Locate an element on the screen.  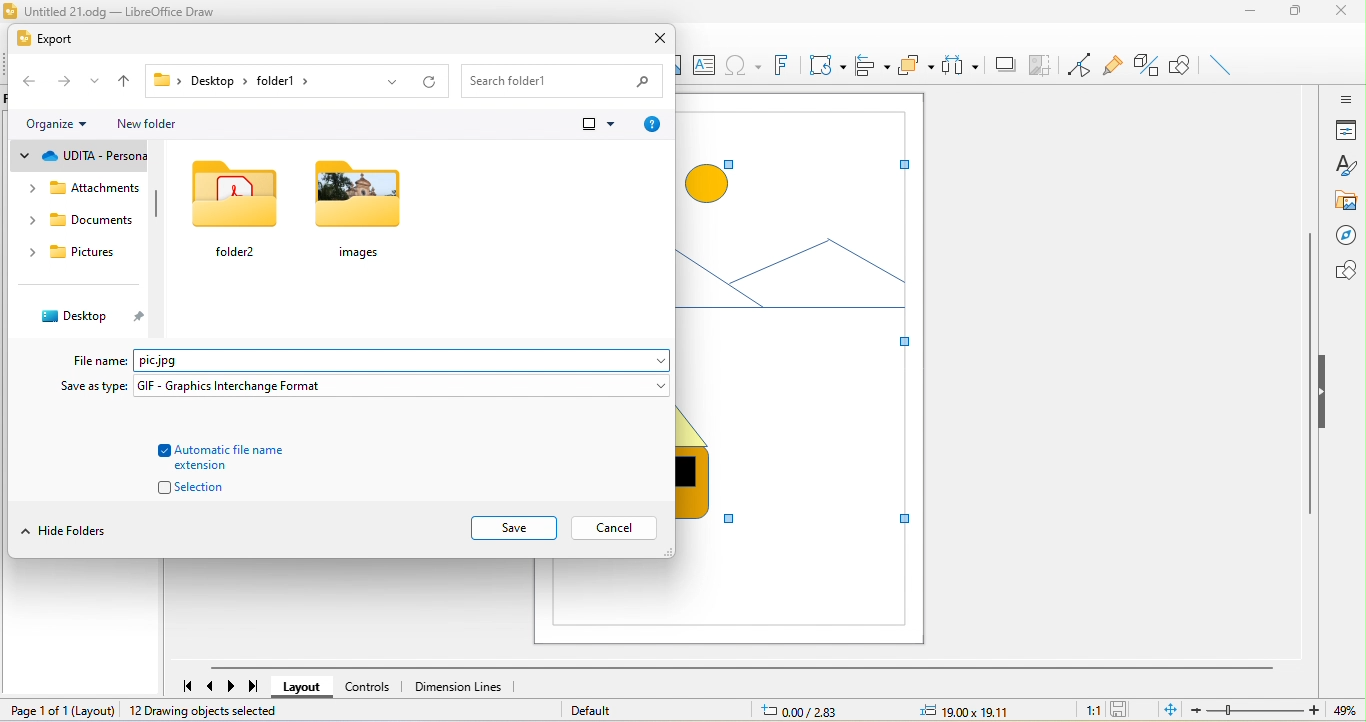
drop down is located at coordinates (97, 84).